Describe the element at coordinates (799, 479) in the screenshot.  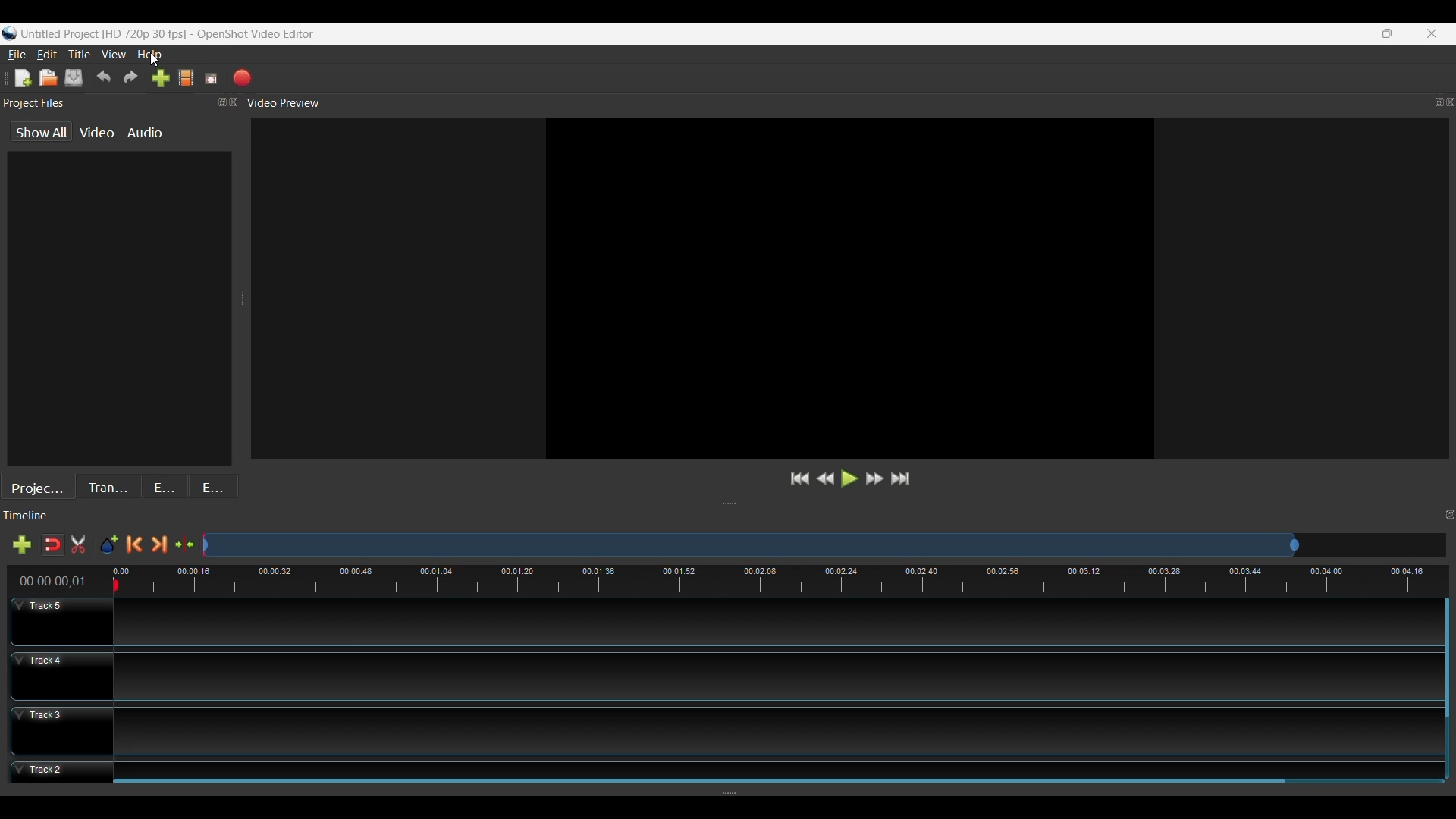
I see `Jump to Start` at that location.